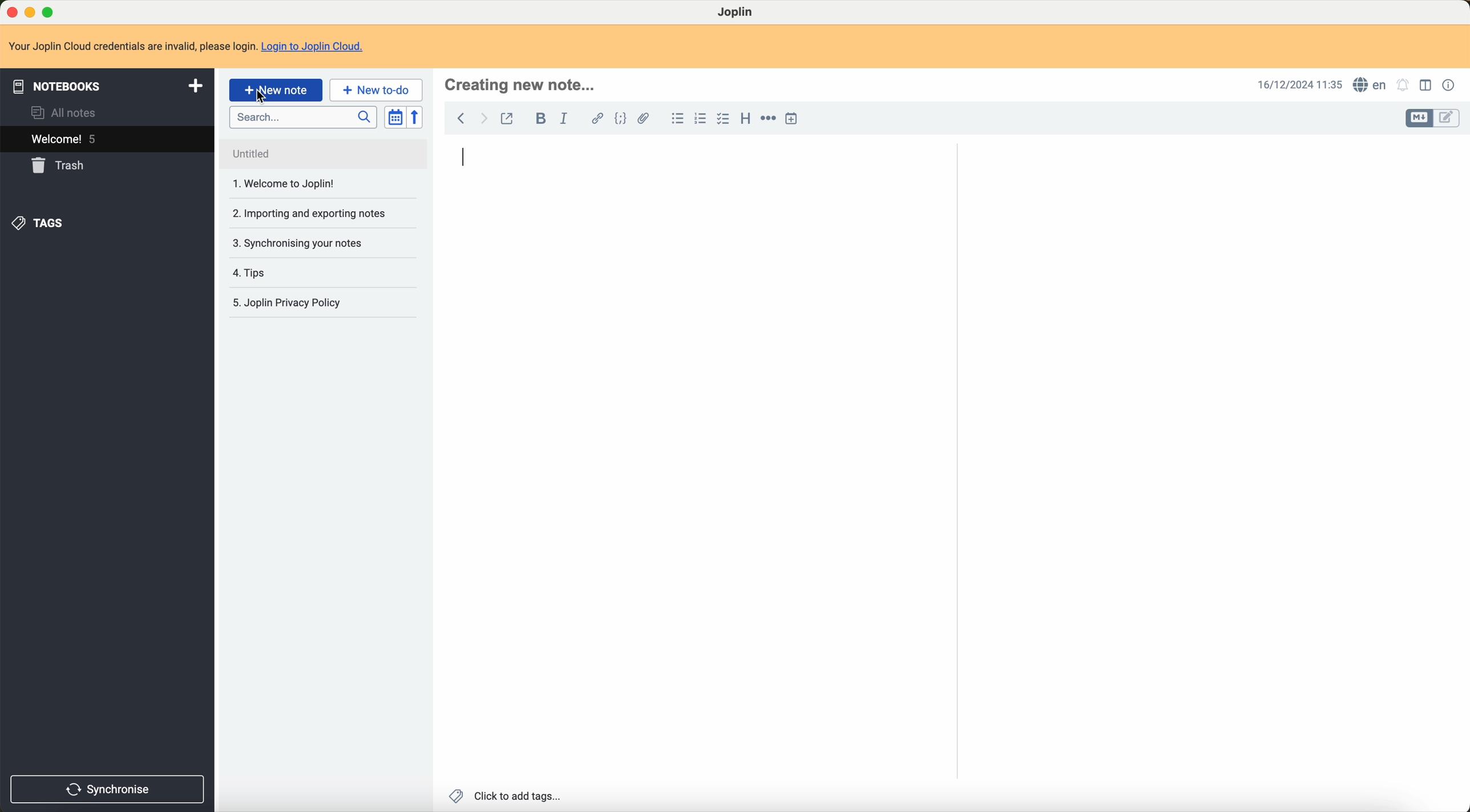  Describe the element at coordinates (105, 85) in the screenshot. I see `notebooks` at that location.